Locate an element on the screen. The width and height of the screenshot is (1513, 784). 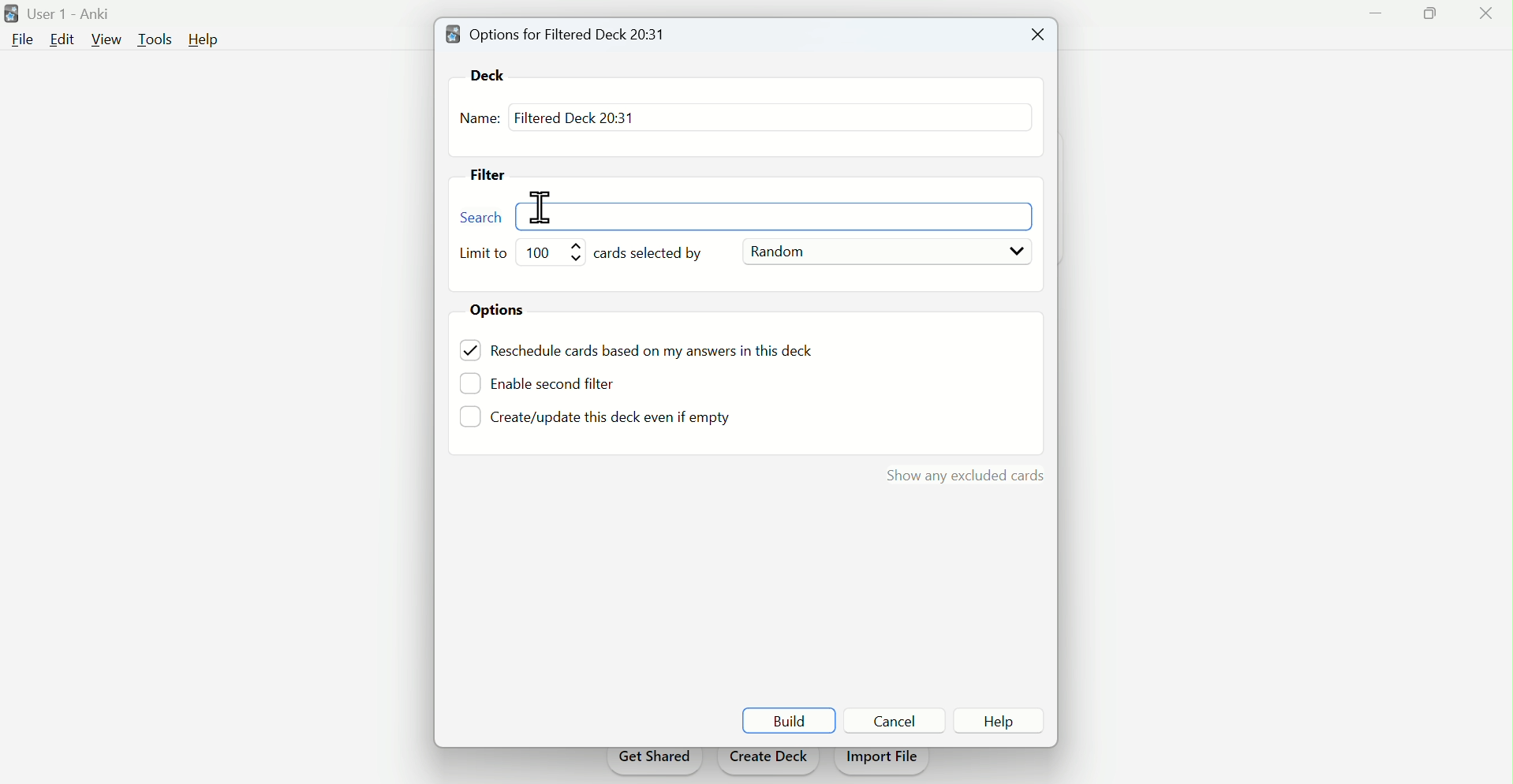
 is located at coordinates (895, 720).